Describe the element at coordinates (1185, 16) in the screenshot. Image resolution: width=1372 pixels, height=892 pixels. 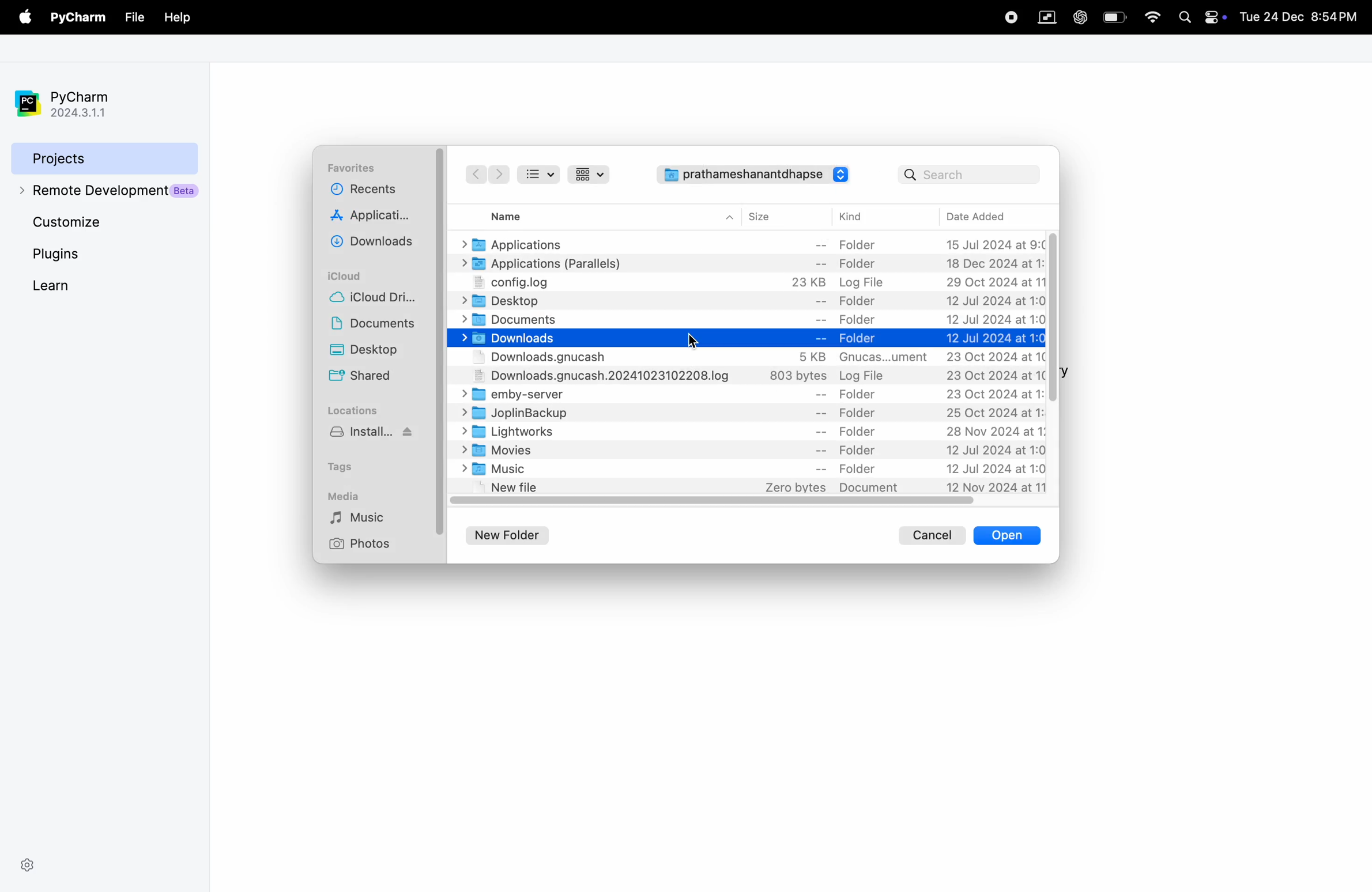
I see `search` at that location.